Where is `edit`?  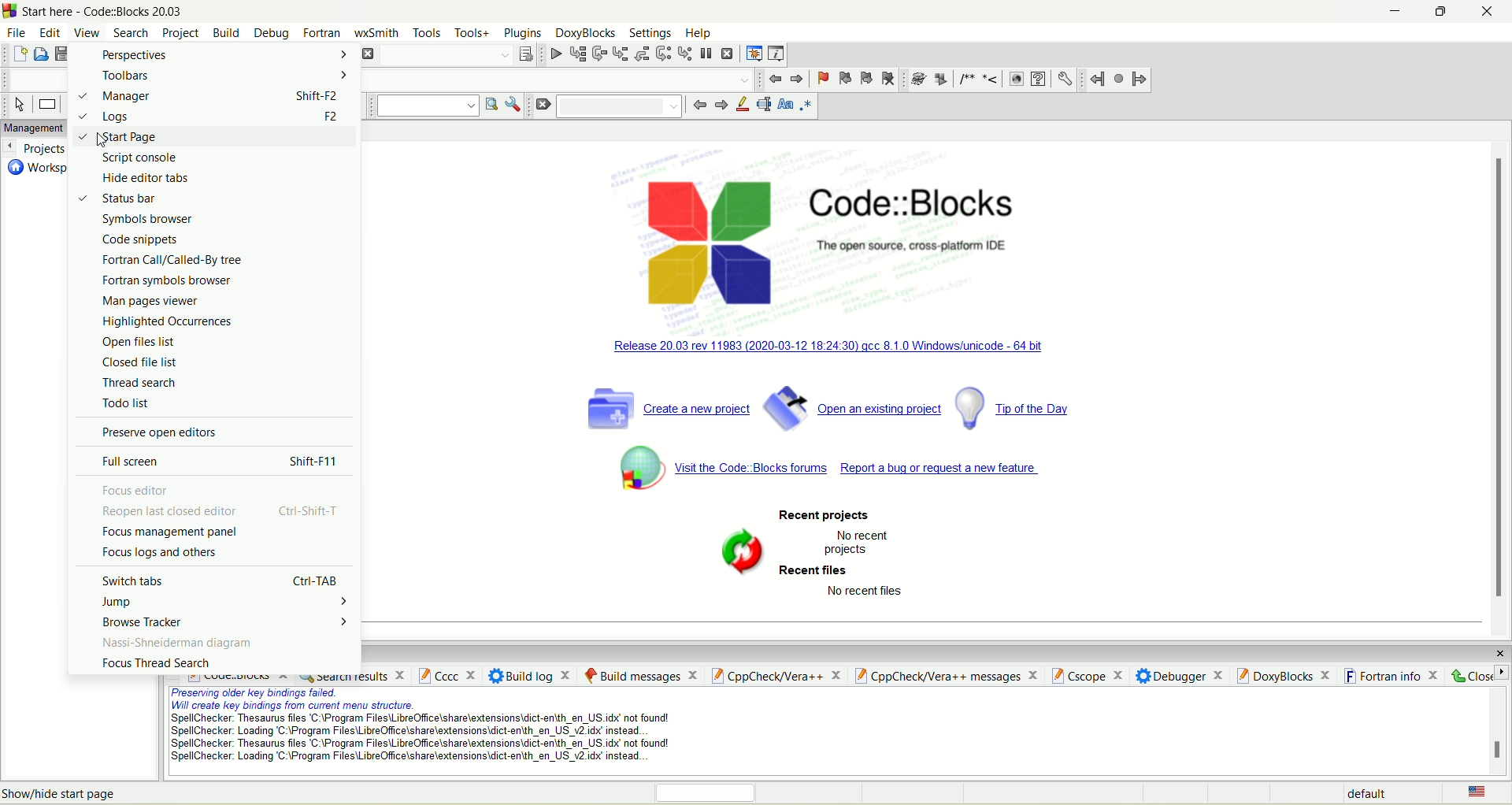
edit is located at coordinates (47, 30).